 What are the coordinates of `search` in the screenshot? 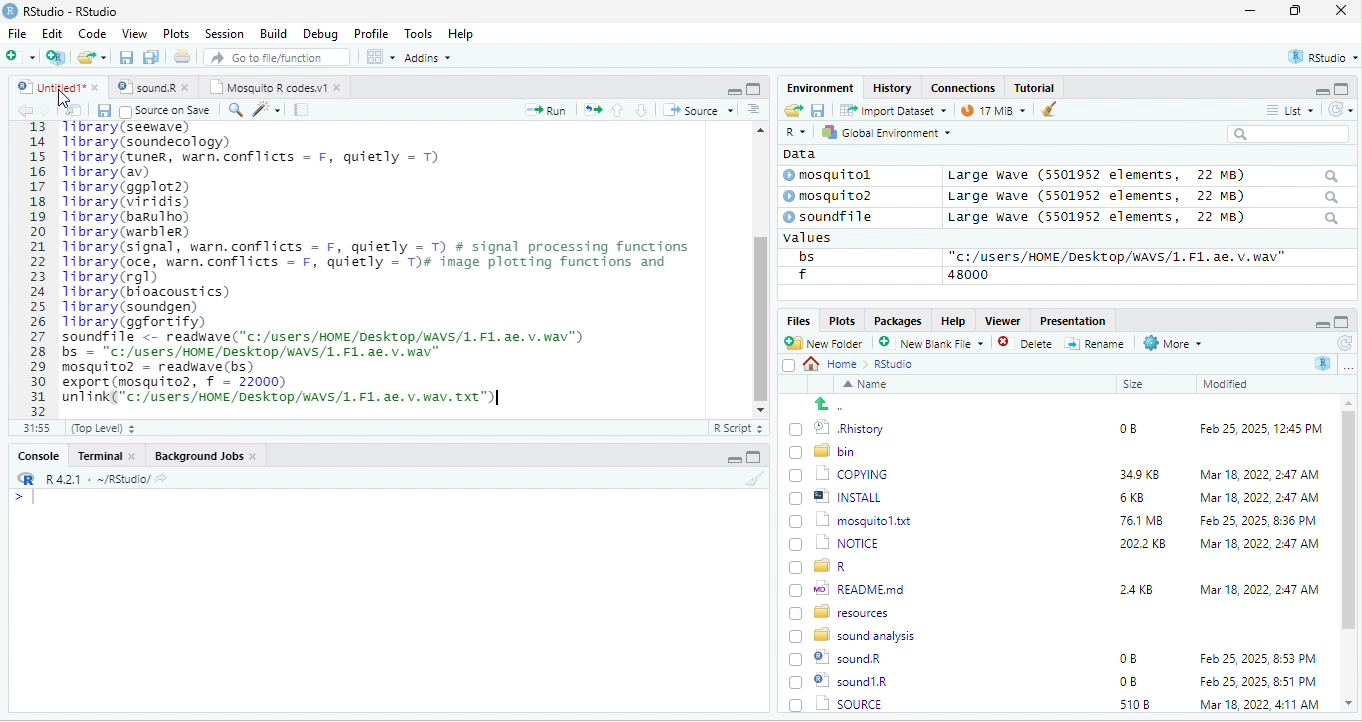 It's located at (235, 108).